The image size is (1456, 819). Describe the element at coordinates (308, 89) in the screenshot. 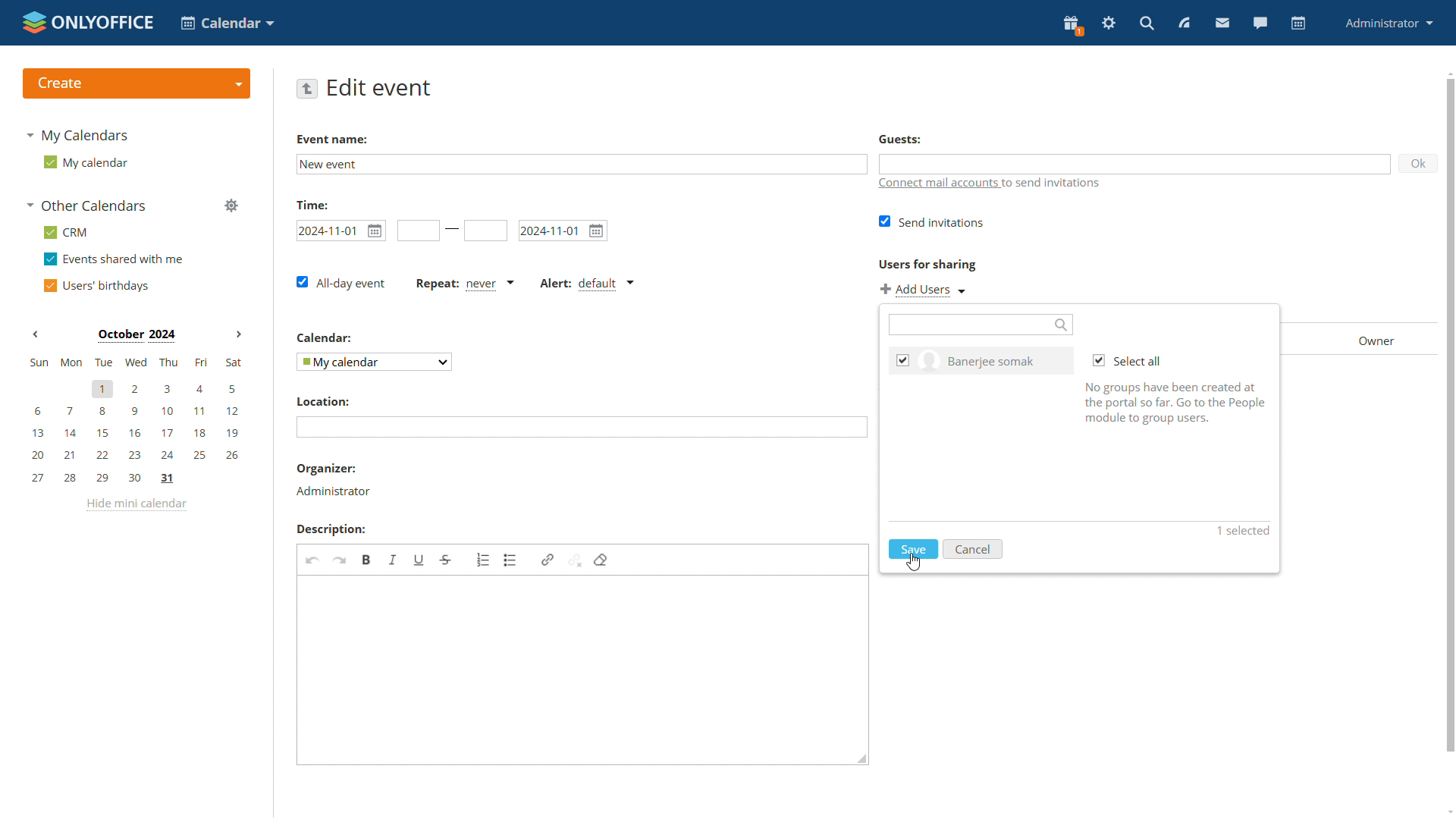

I see `go back` at that location.